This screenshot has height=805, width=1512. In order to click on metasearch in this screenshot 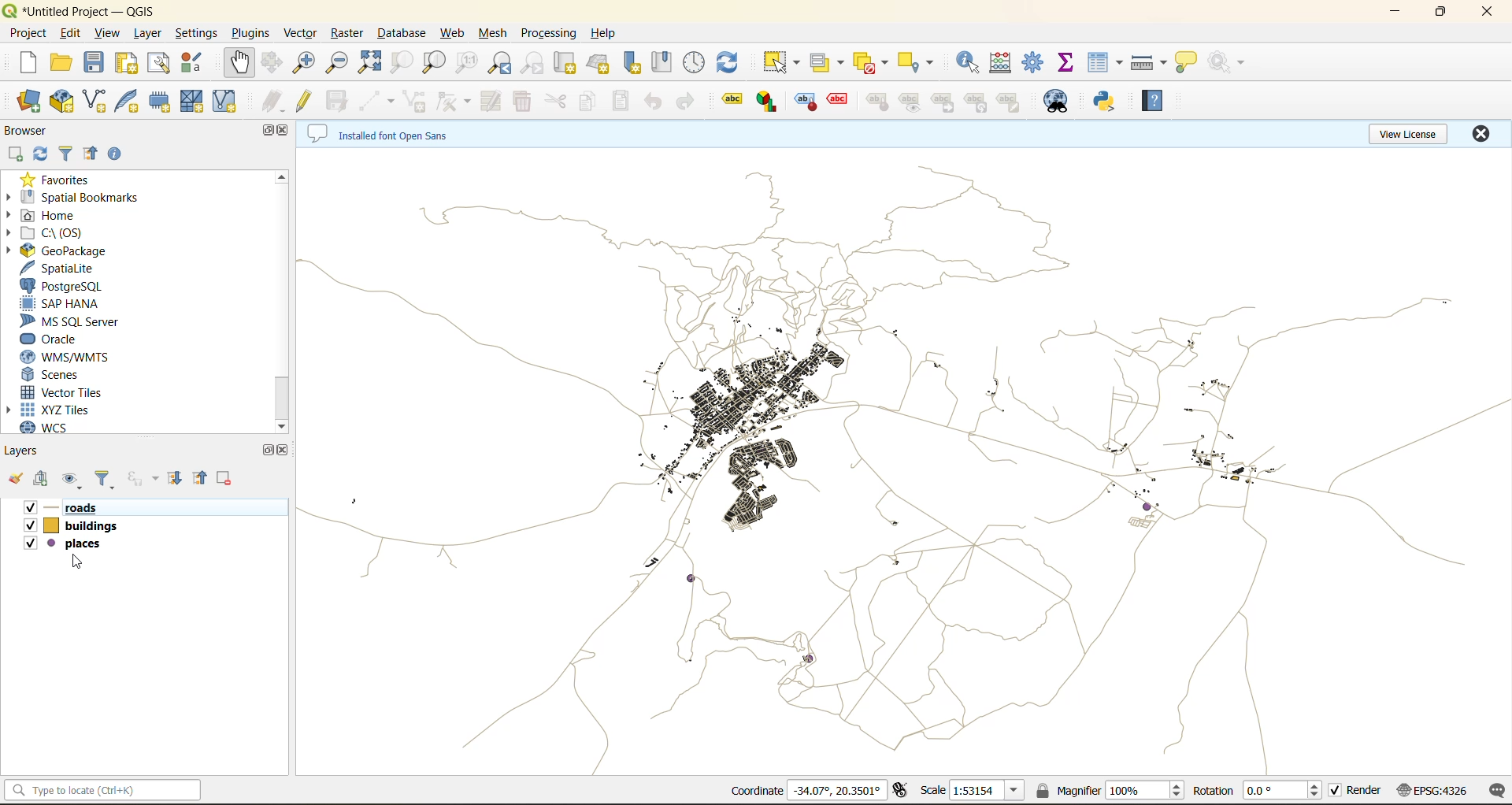, I will do `click(1058, 102)`.